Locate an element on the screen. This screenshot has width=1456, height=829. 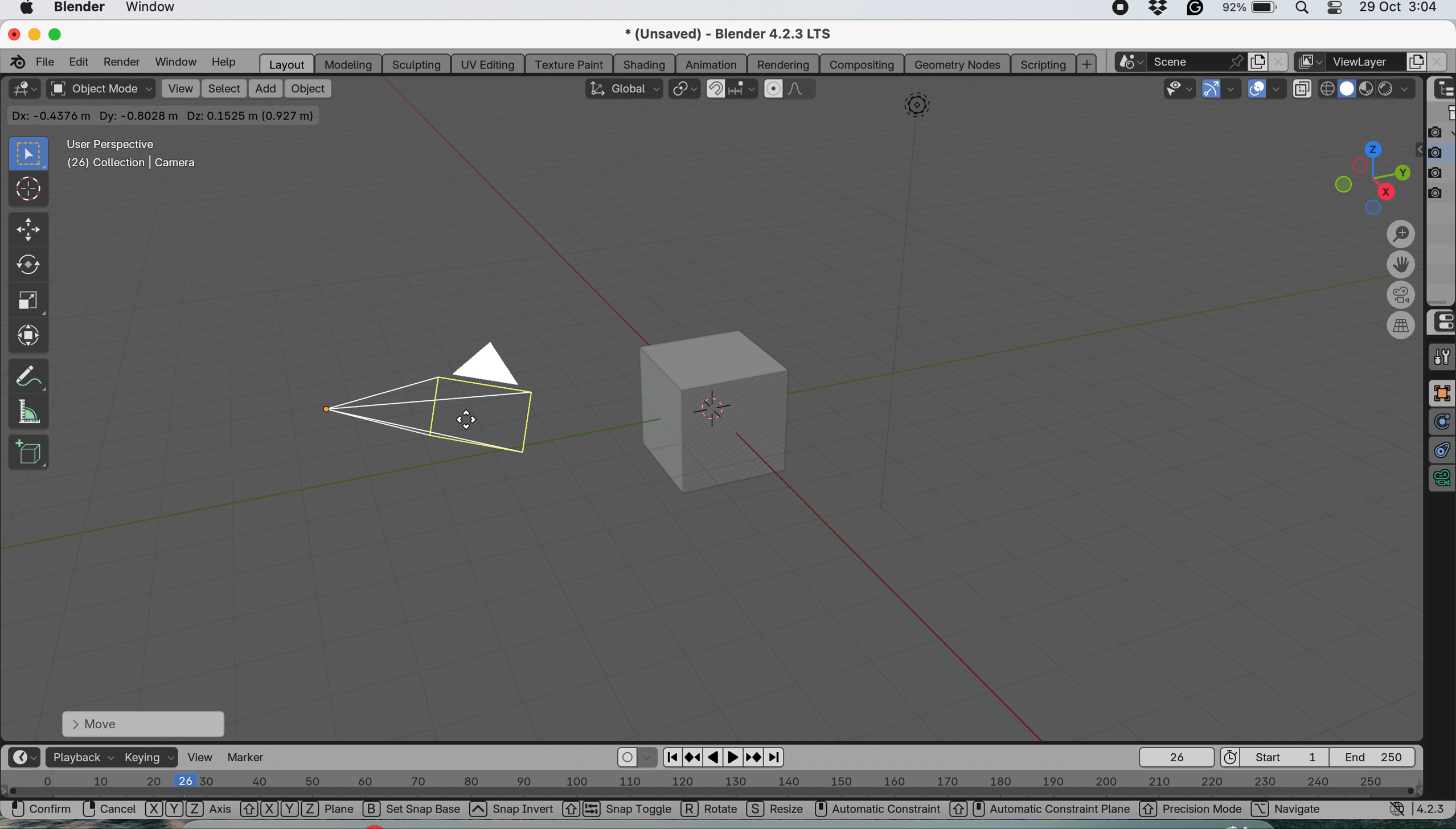
transform pivot point is located at coordinates (684, 89).